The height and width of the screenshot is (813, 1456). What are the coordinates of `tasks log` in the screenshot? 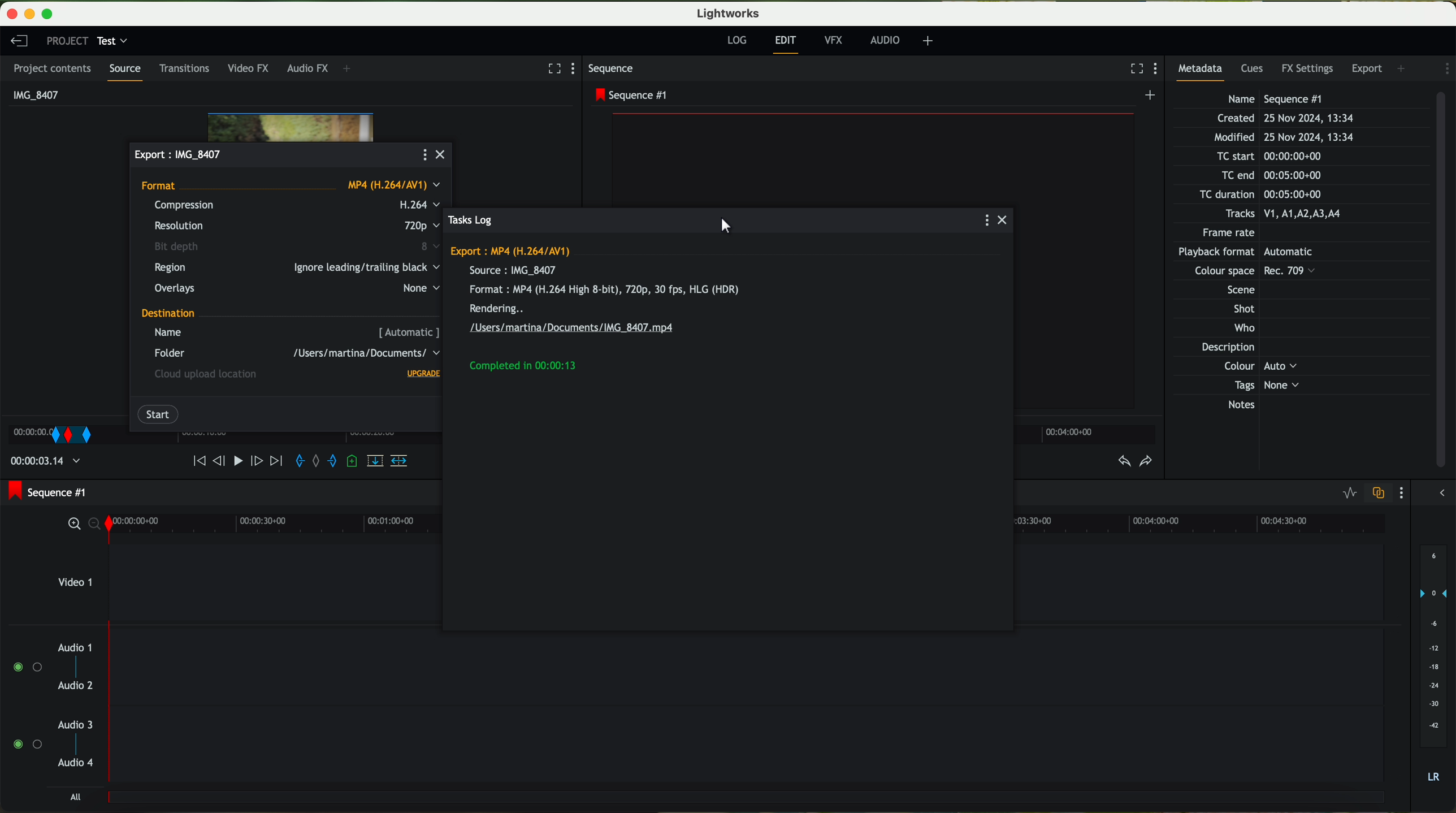 It's located at (471, 220).